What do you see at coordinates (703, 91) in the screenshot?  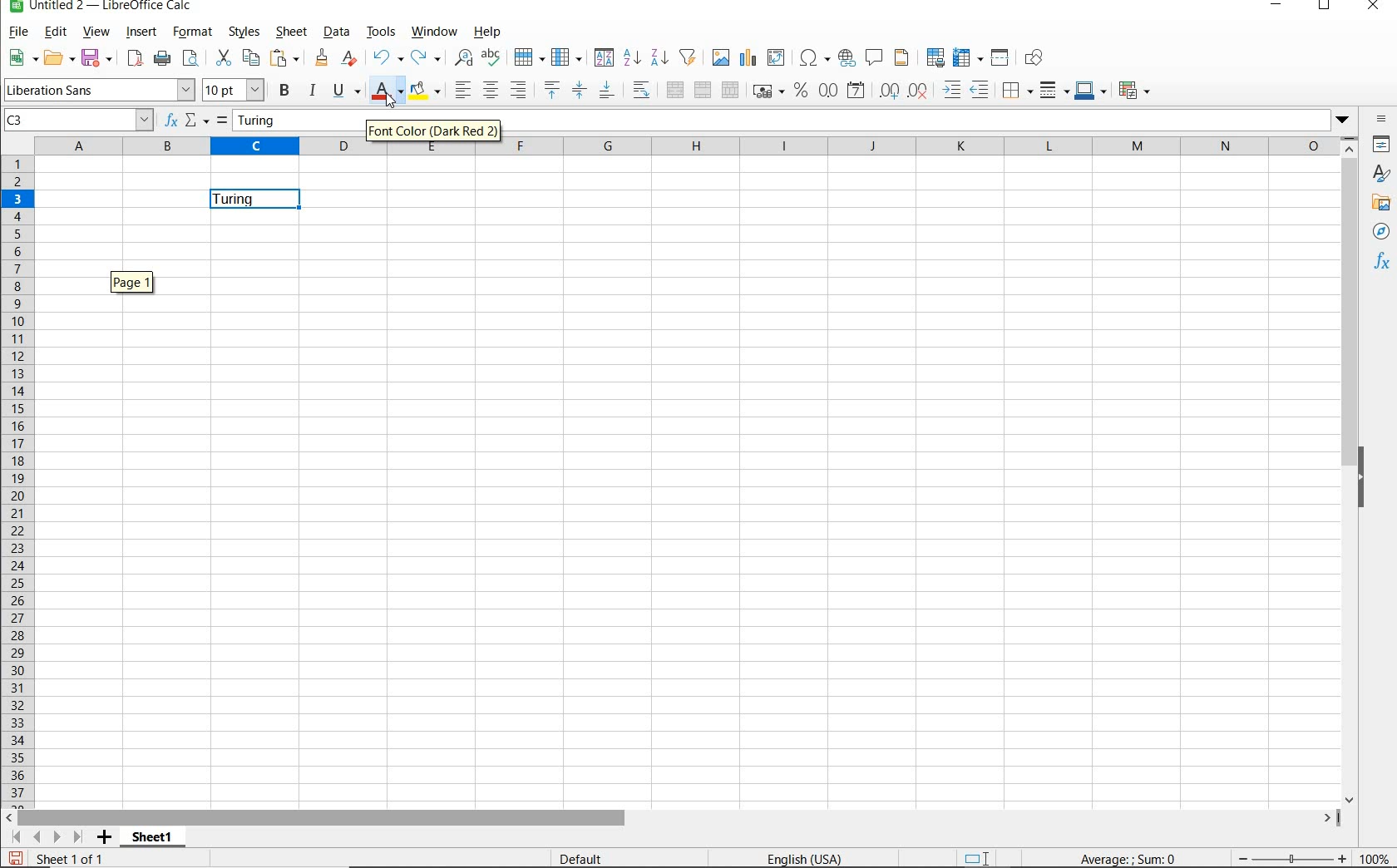 I see `MERGE CELLS` at bounding box center [703, 91].